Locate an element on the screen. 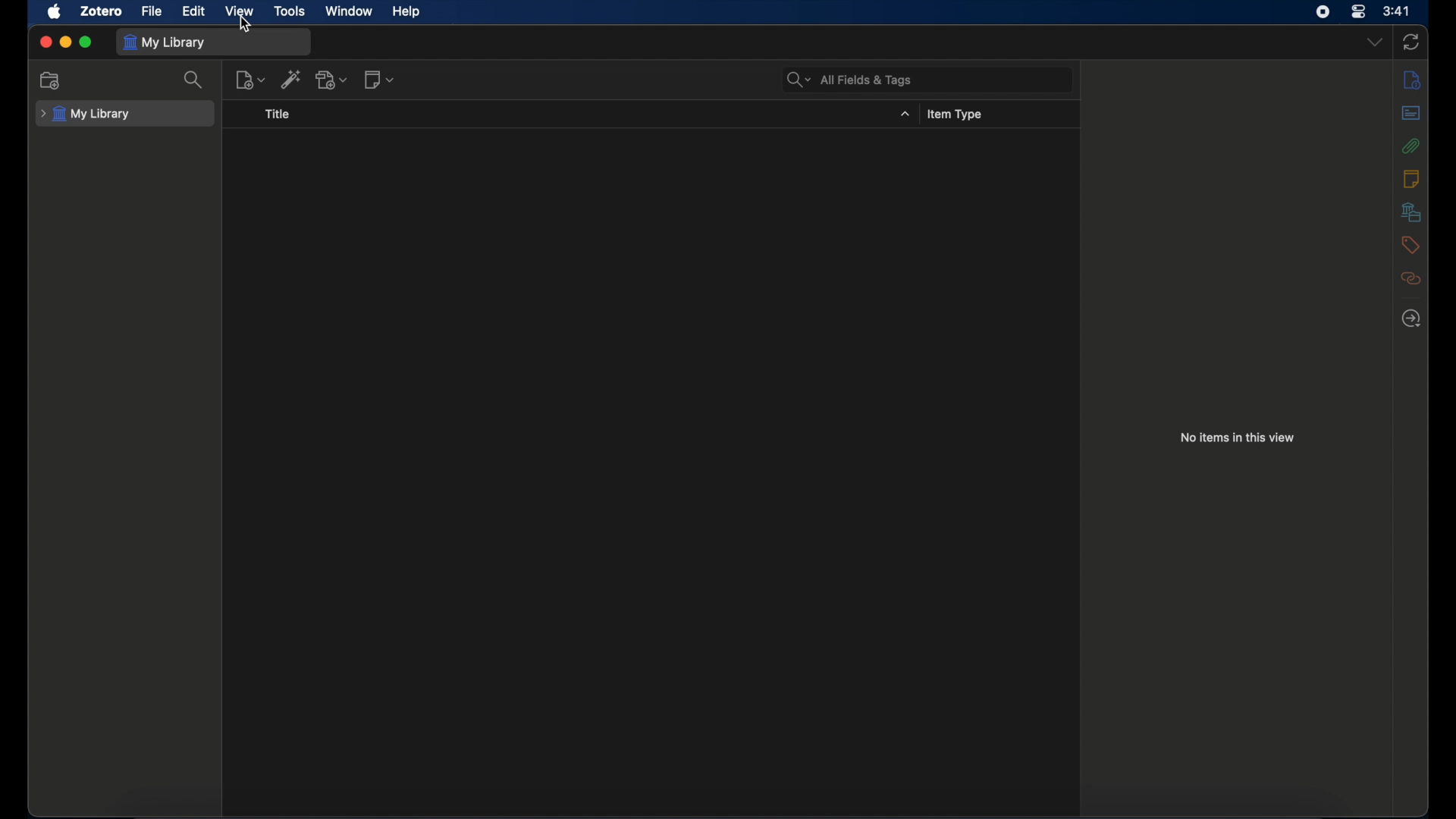  item type is located at coordinates (956, 114).